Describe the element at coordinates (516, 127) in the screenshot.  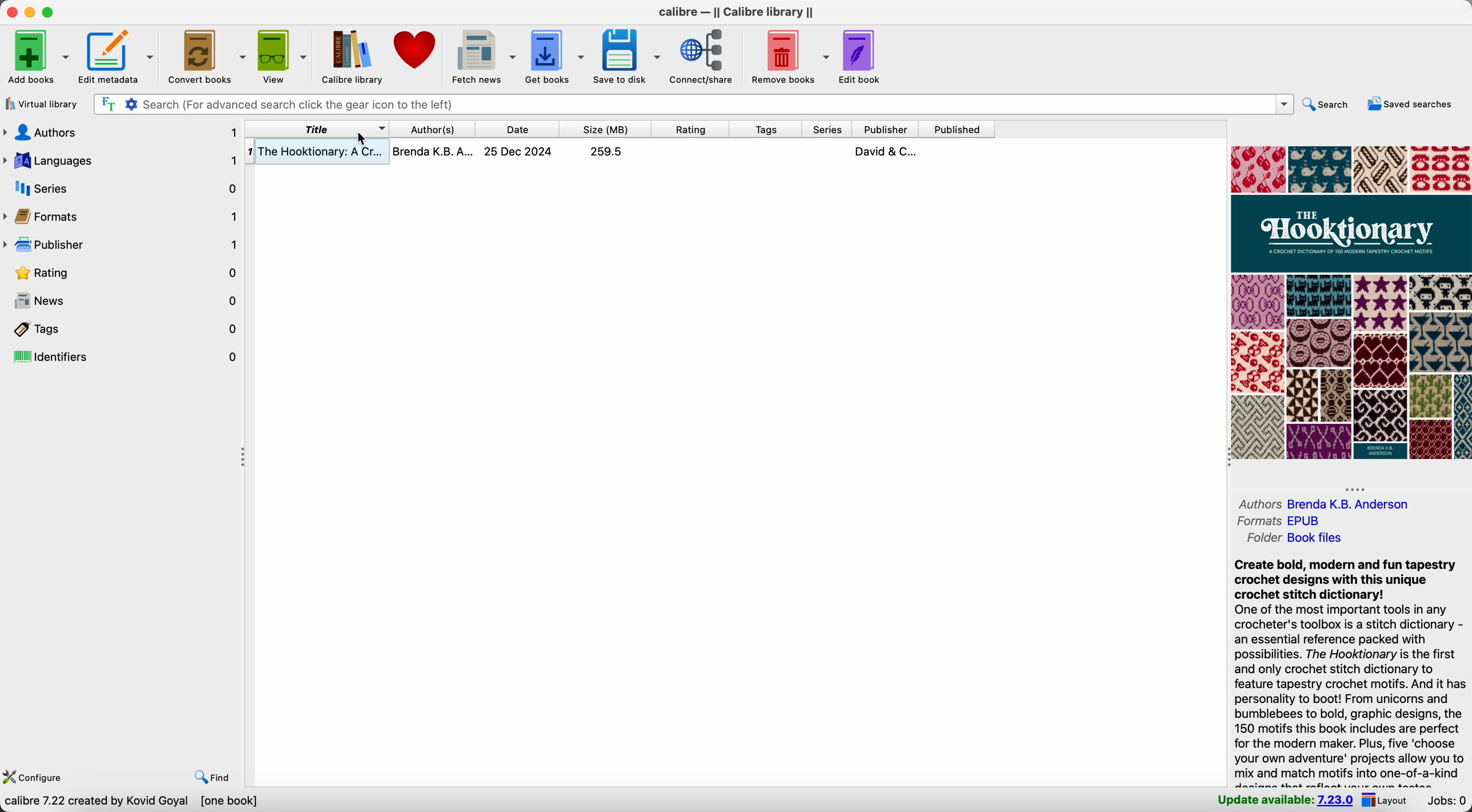
I see `date` at that location.